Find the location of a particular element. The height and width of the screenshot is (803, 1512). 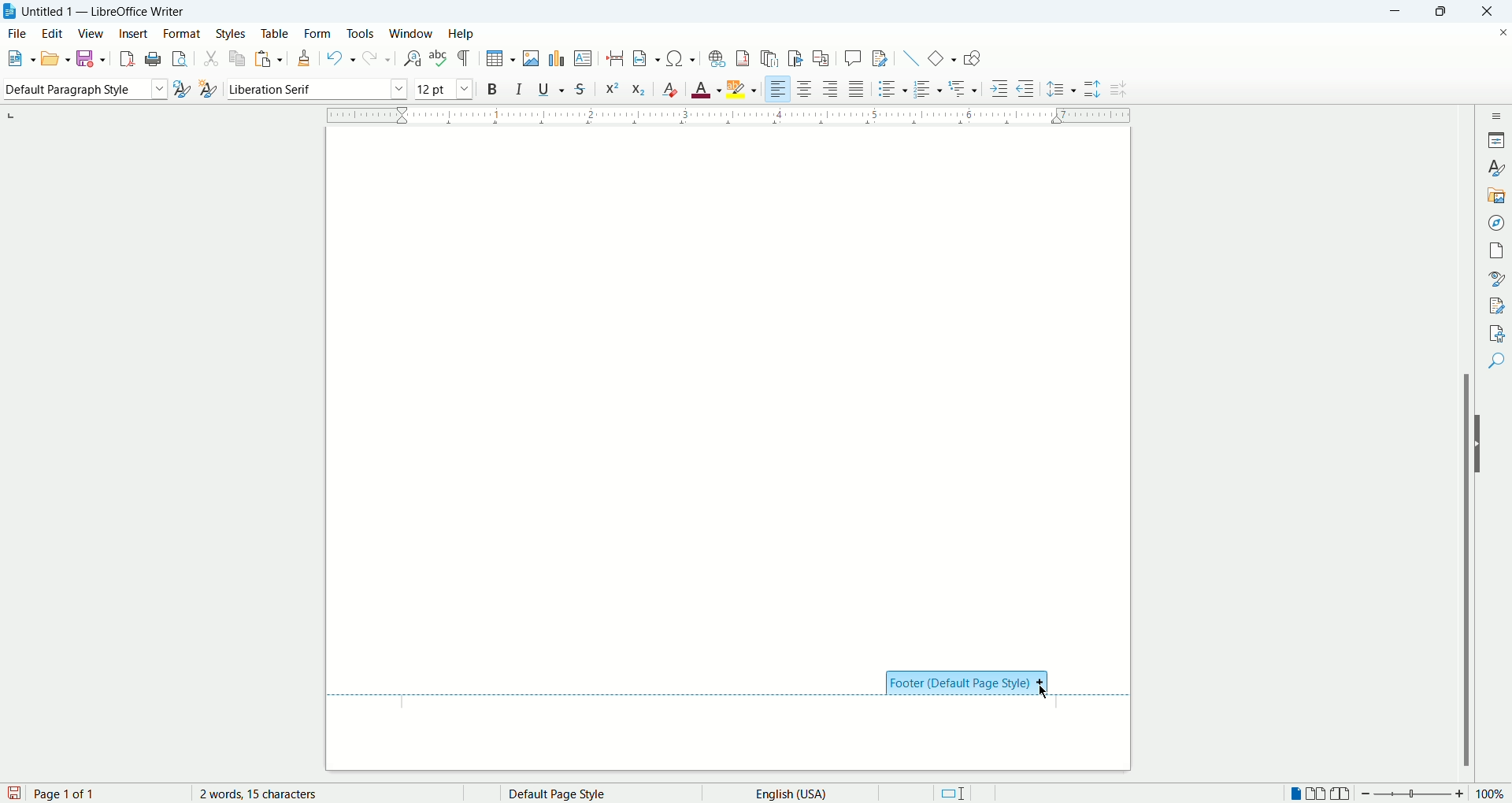

formatting marks is located at coordinates (467, 57).